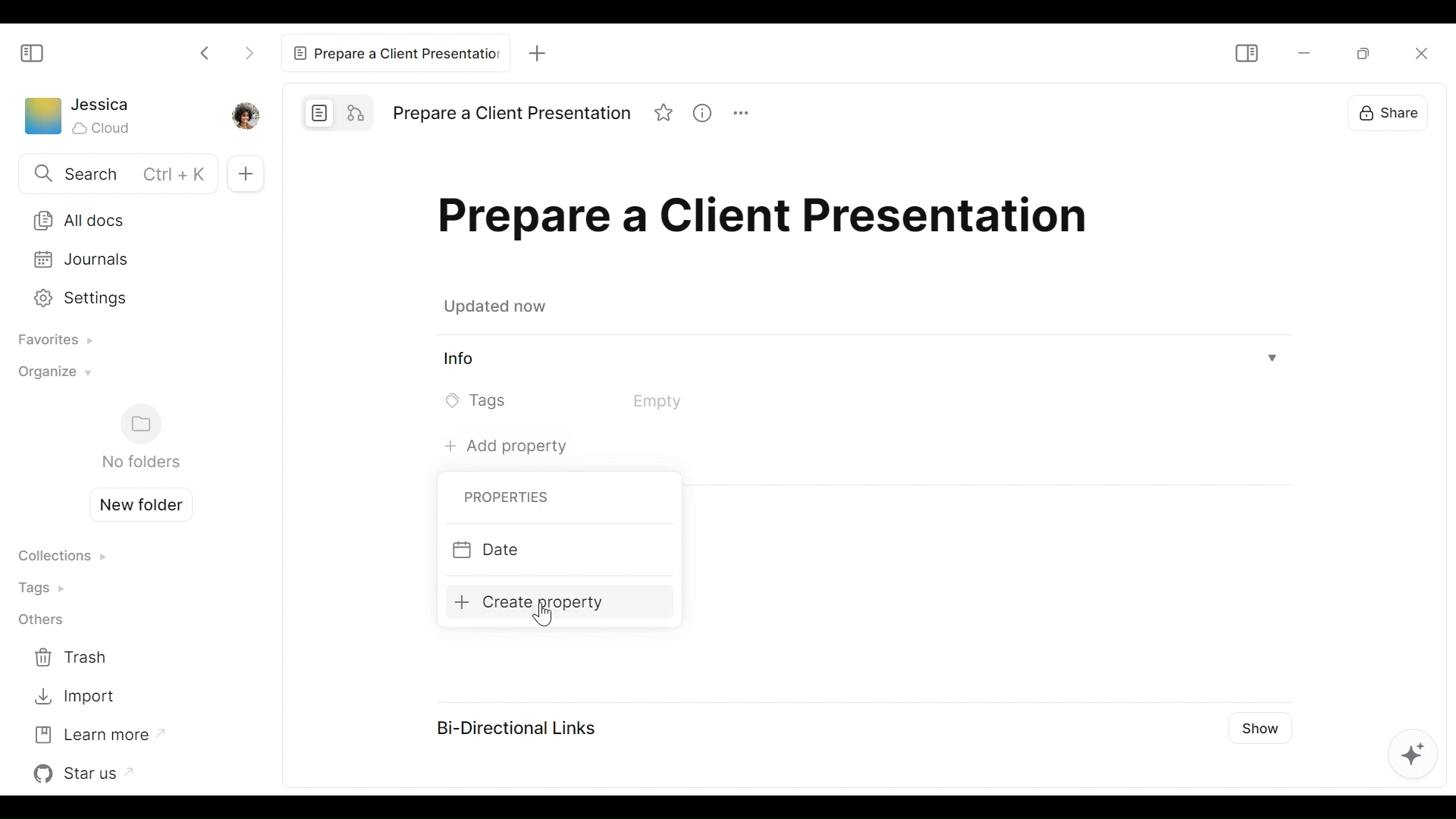  I want to click on Add property, so click(501, 444).